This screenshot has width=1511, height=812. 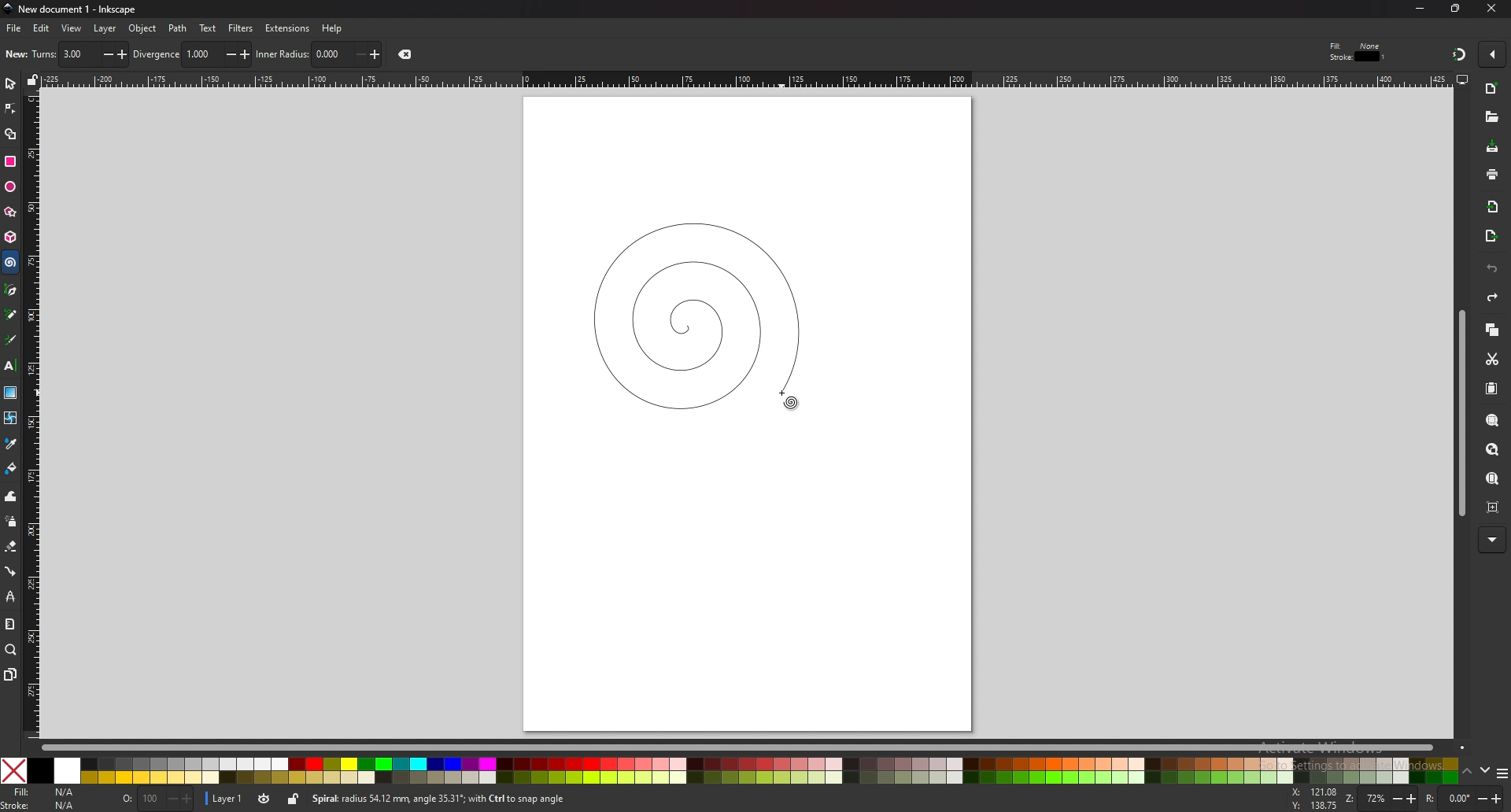 What do you see at coordinates (47, 791) in the screenshot?
I see `fill: N/A` at bounding box center [47, 791].